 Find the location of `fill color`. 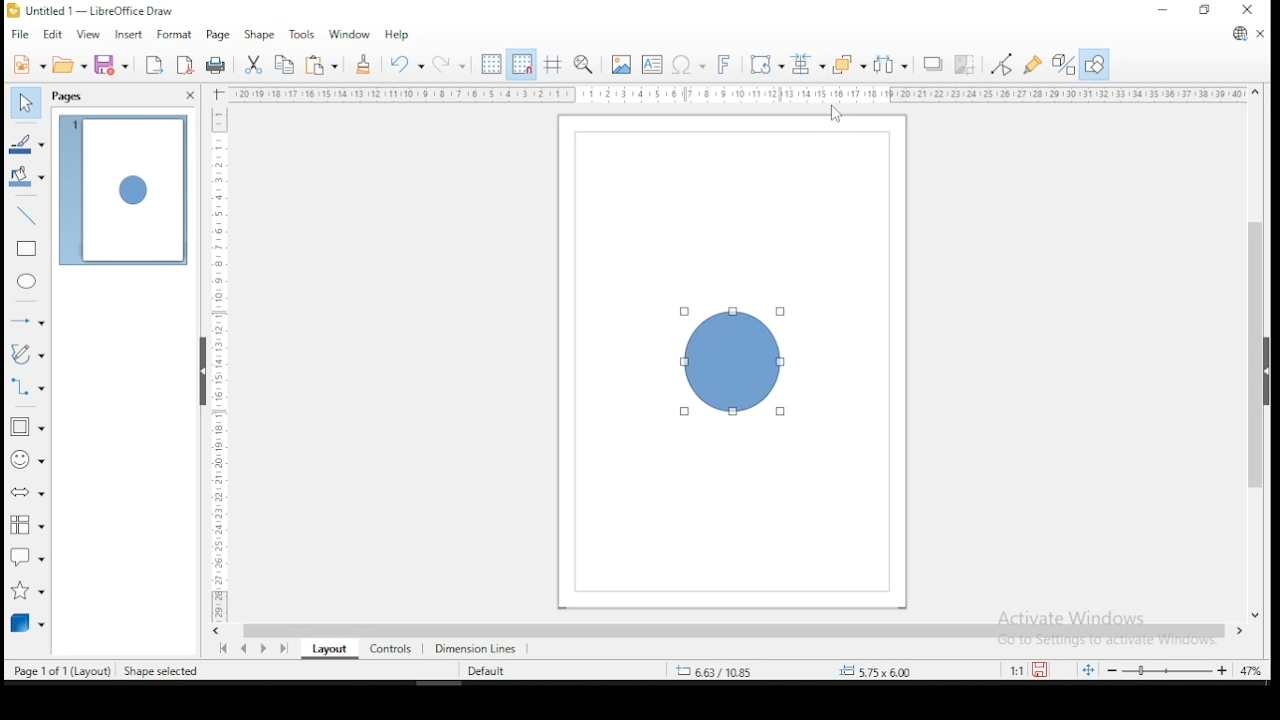

fill color is located at coordinates (28, 176).